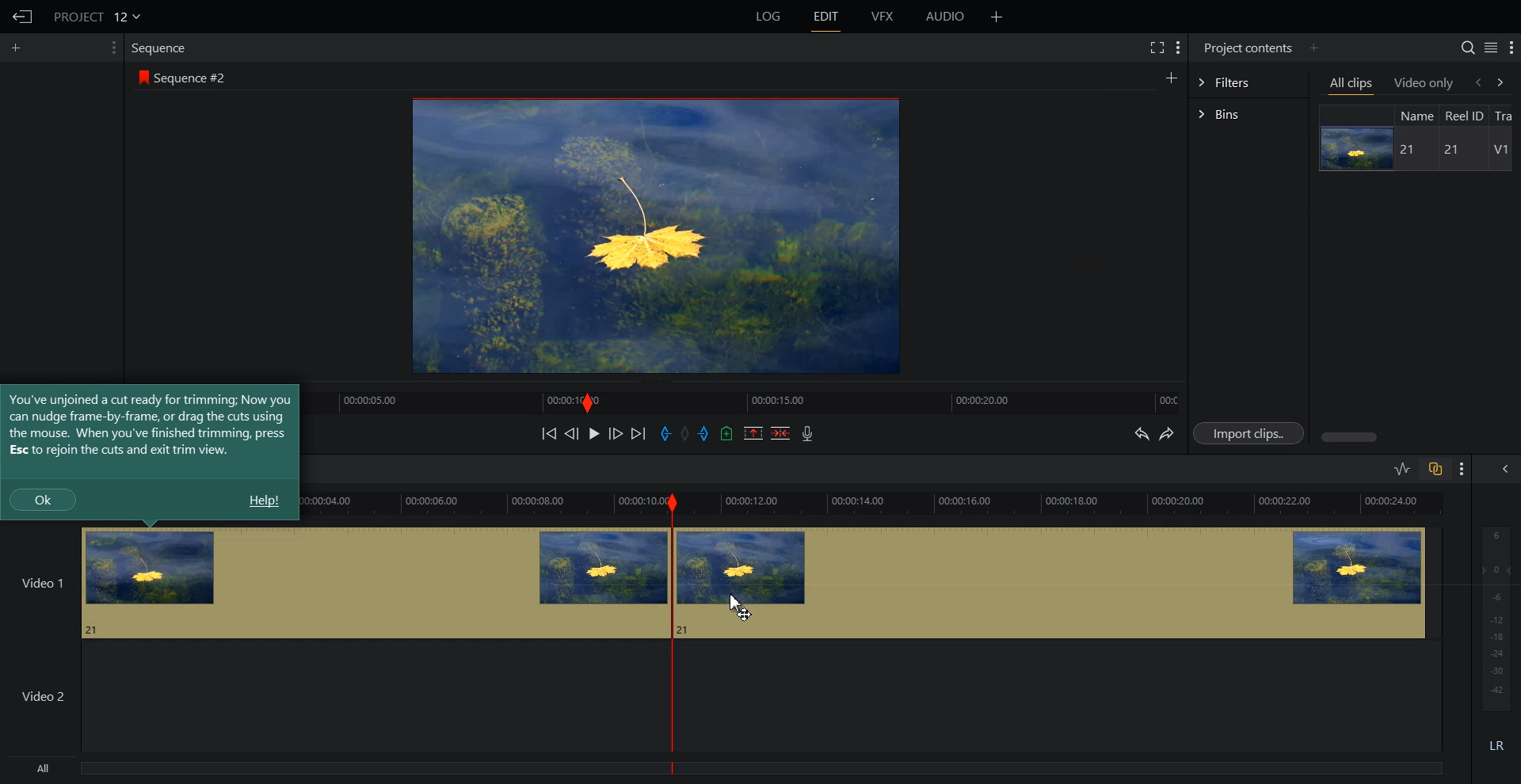  I want to click on Horizontal Scroll bar, so click(1417, 437).